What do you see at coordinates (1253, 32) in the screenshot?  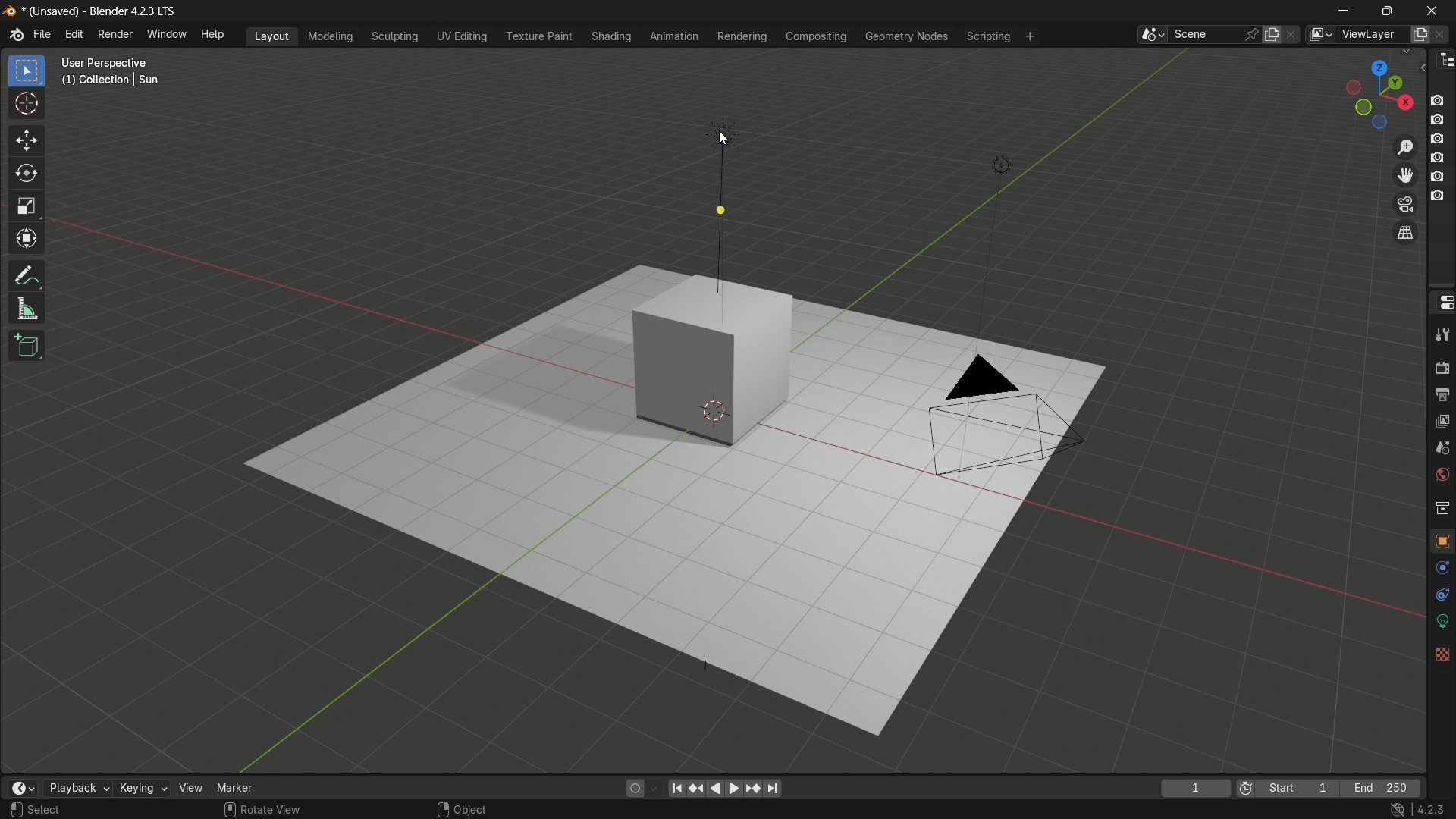 I see `pin scene to workplace` at bounding box center [1253, 32].